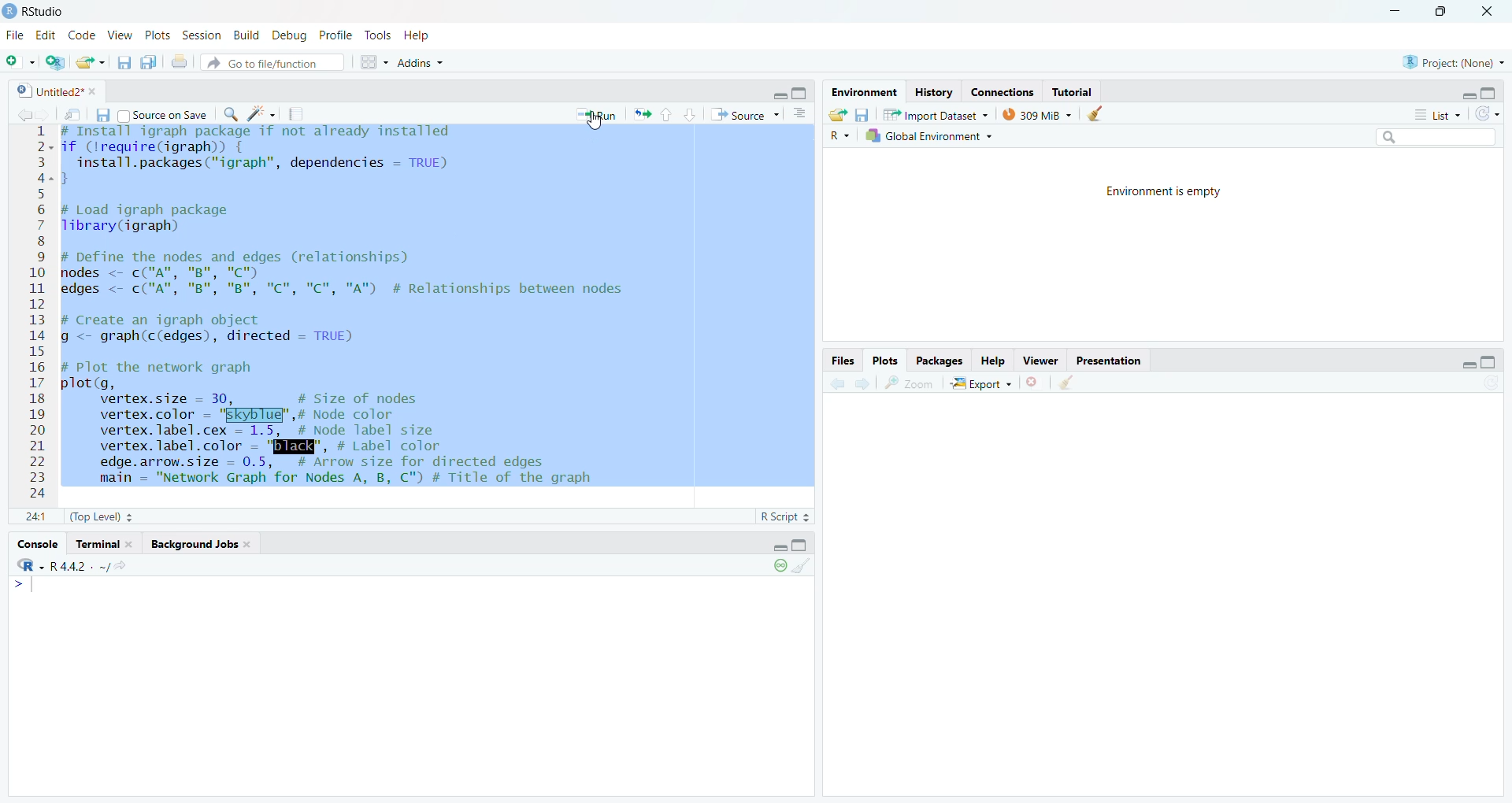 This screenshot has width=1512, height=803. Describe the element at coordinates (1395, 11) in the screenshot. I see `minimise` at that location.